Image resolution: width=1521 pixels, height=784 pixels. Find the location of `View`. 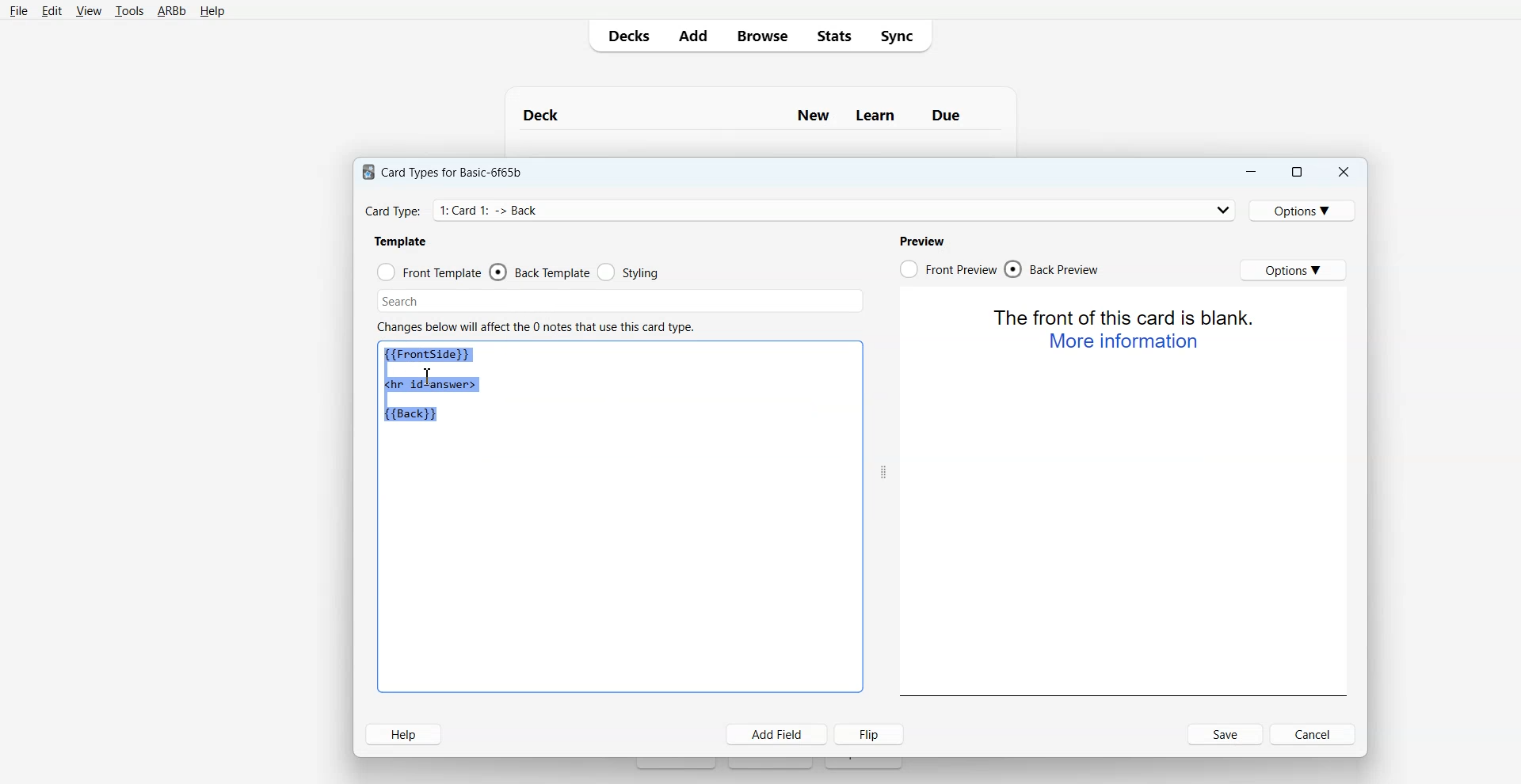

View is located at coordinates (87, 10).